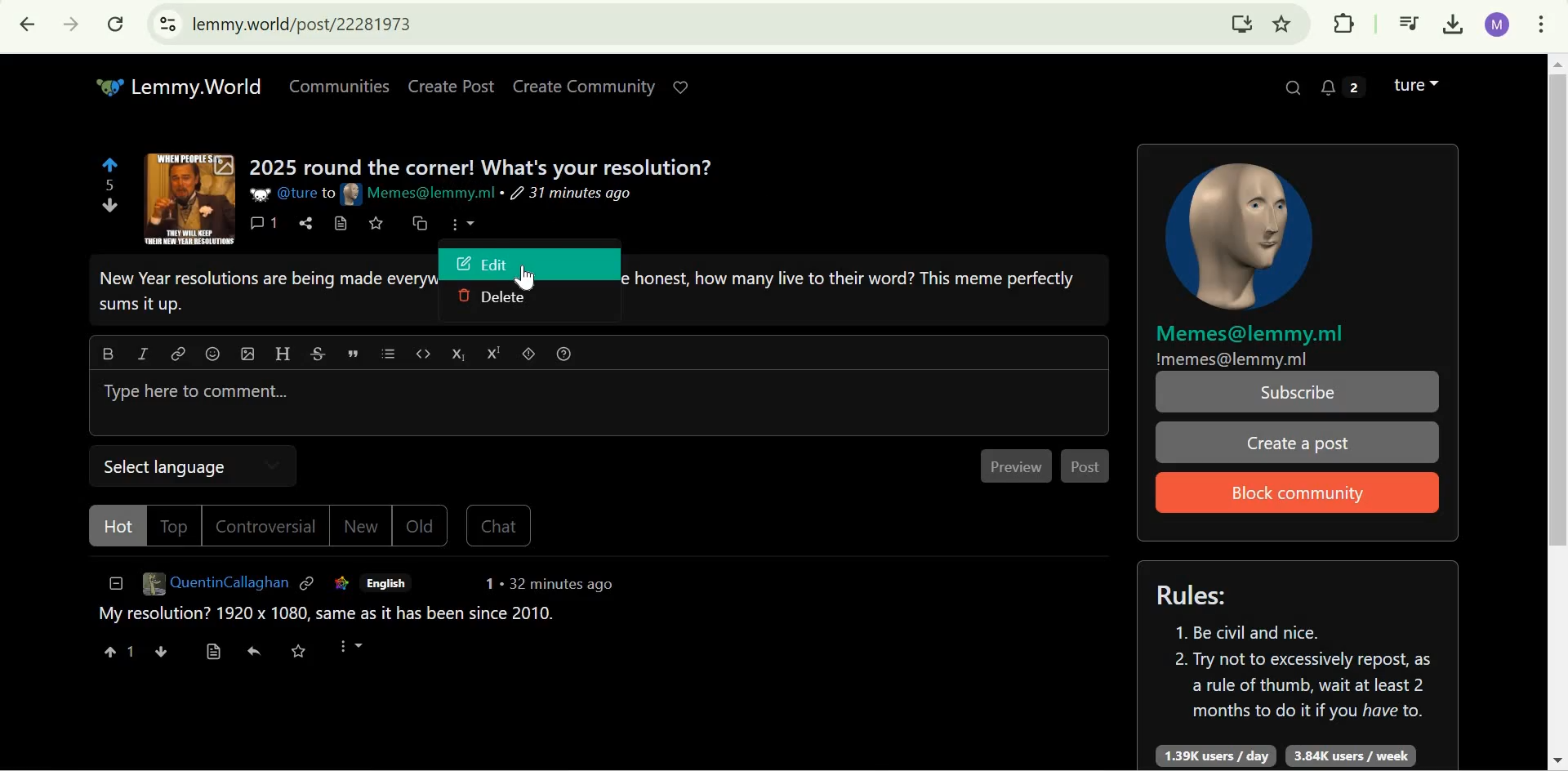 The image size is (1568, 771). I want to click on 1 . 32 minutes ago, so click(550, 583).